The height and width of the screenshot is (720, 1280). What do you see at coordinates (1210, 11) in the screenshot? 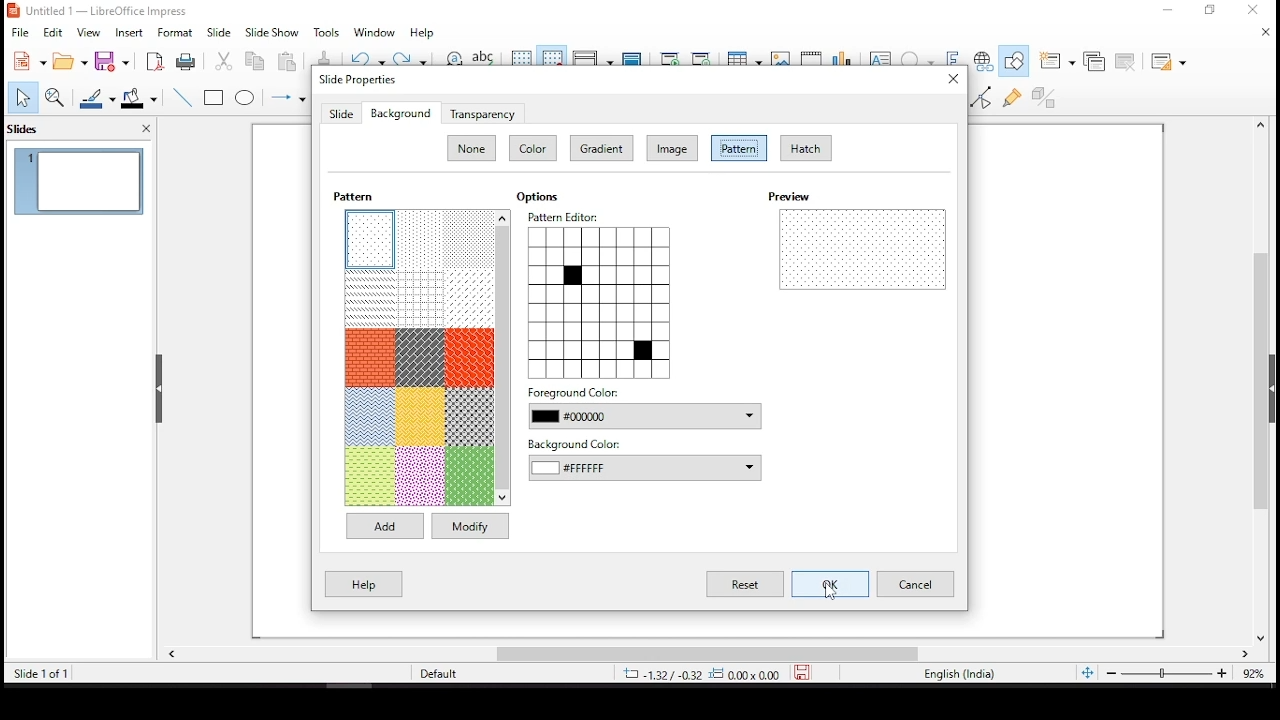
I see `restore` at bounding box center [1210, 11].